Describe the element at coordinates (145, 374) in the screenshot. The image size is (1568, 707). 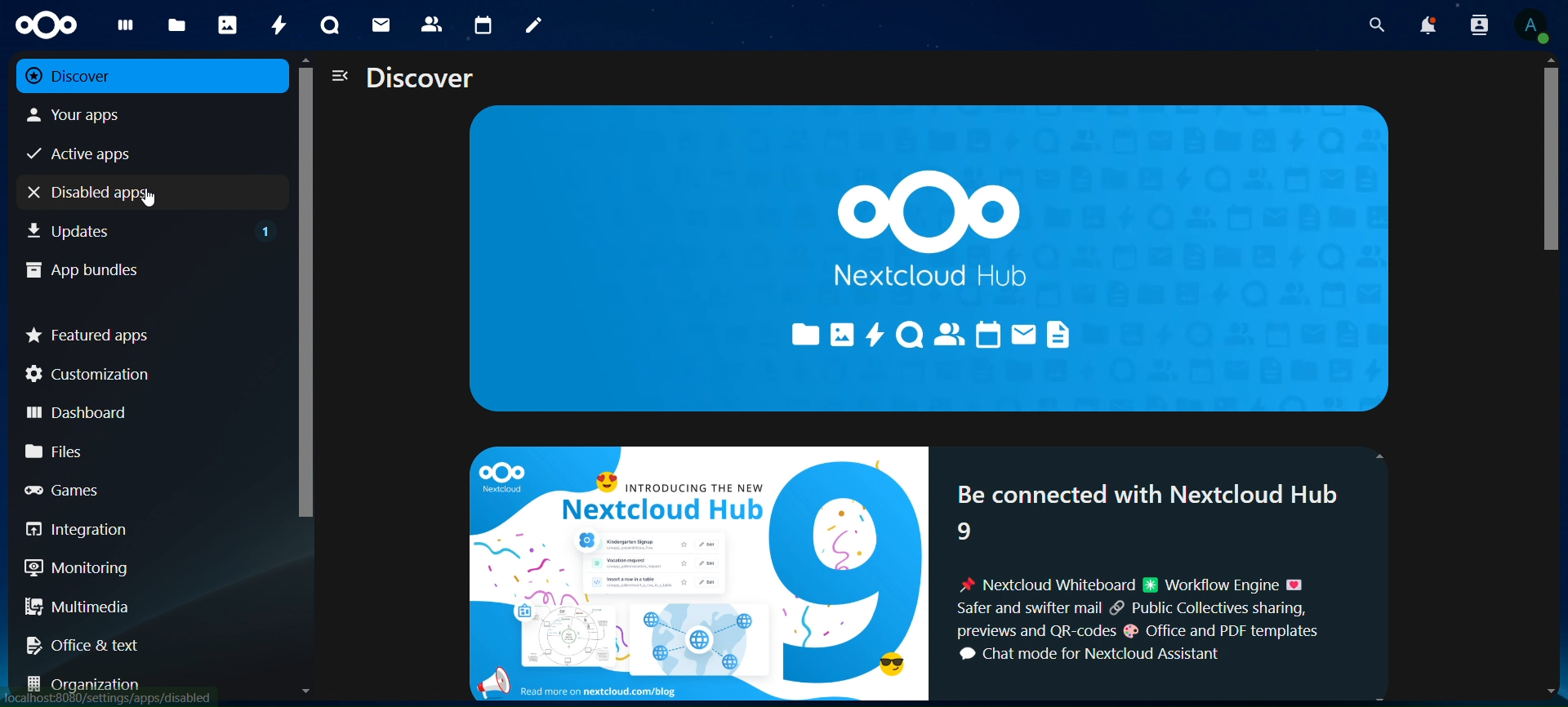
I see `customization` at that location.